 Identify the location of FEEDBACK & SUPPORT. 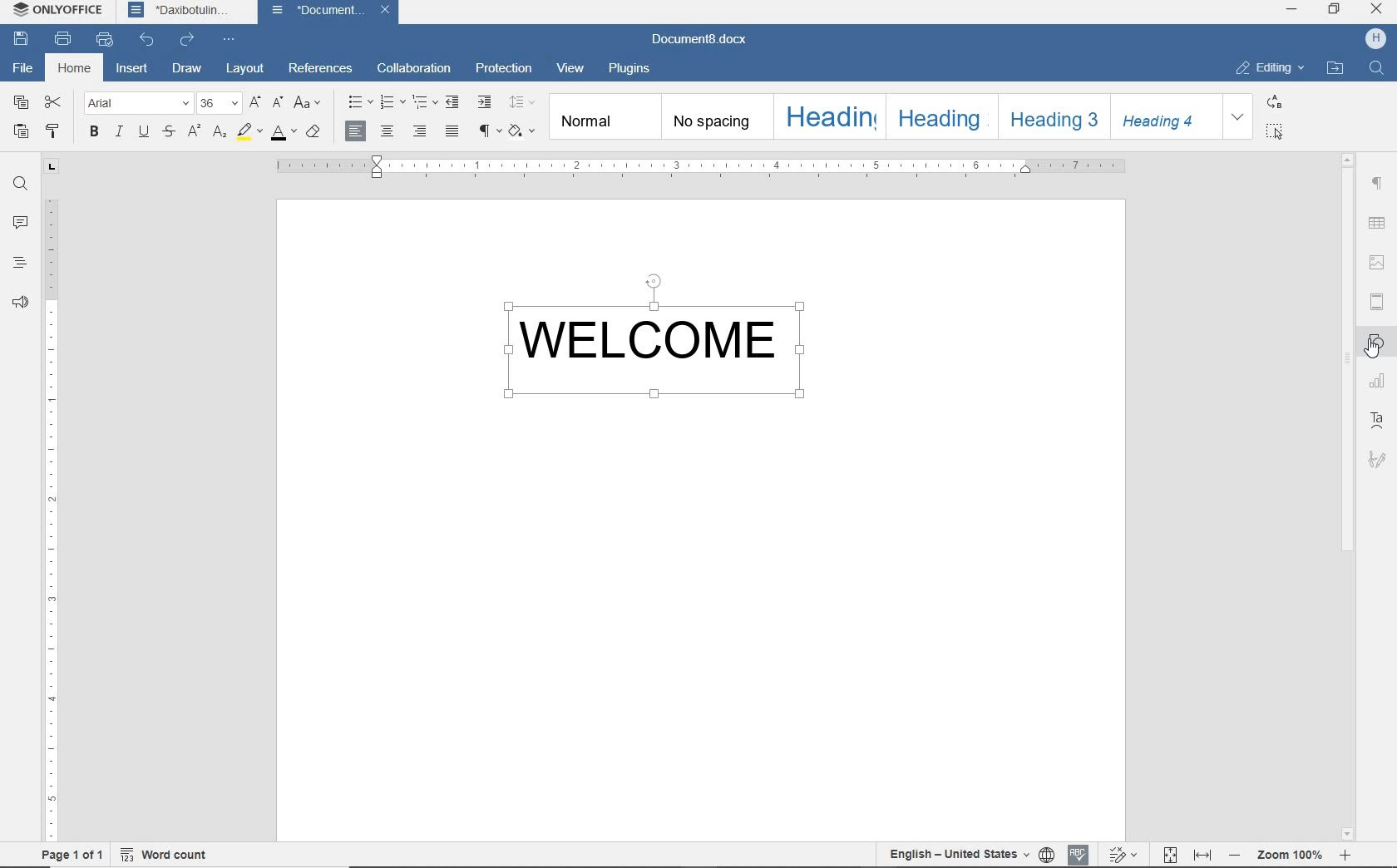
(20, 302).